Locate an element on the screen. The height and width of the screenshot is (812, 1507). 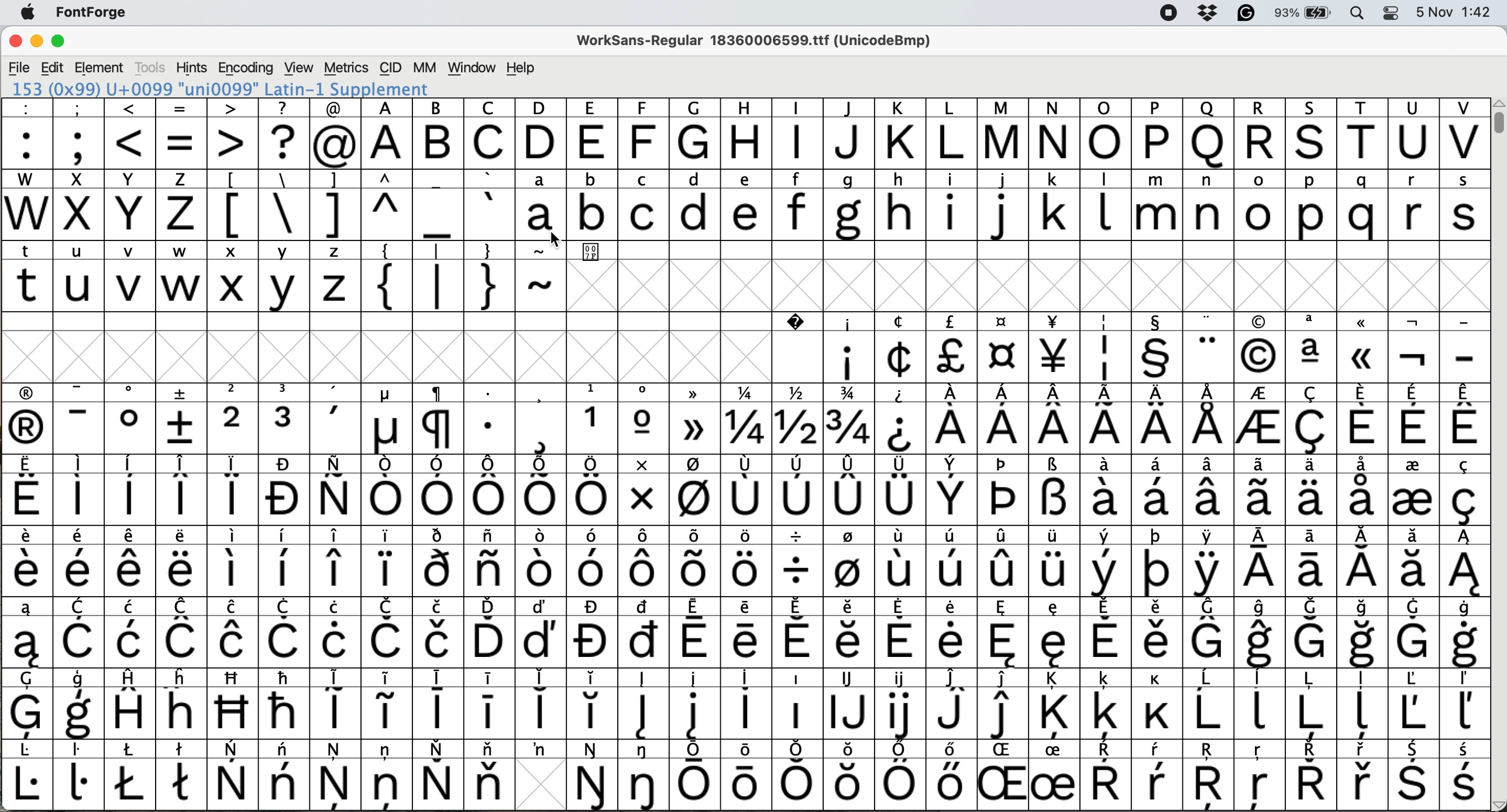
e is located at coordinates (748, 205).